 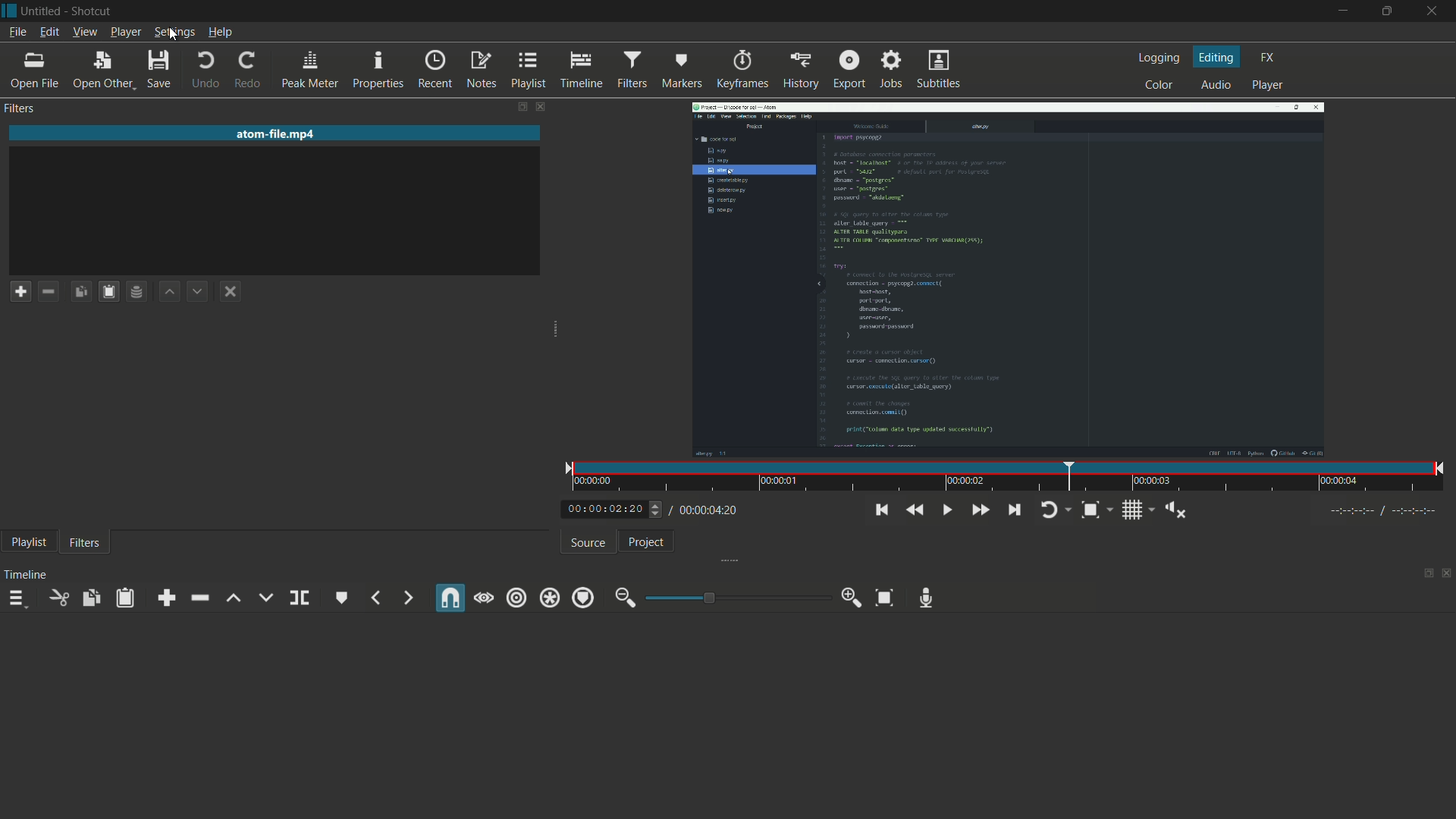 I want to click on project name, so click(x=43, y=11).